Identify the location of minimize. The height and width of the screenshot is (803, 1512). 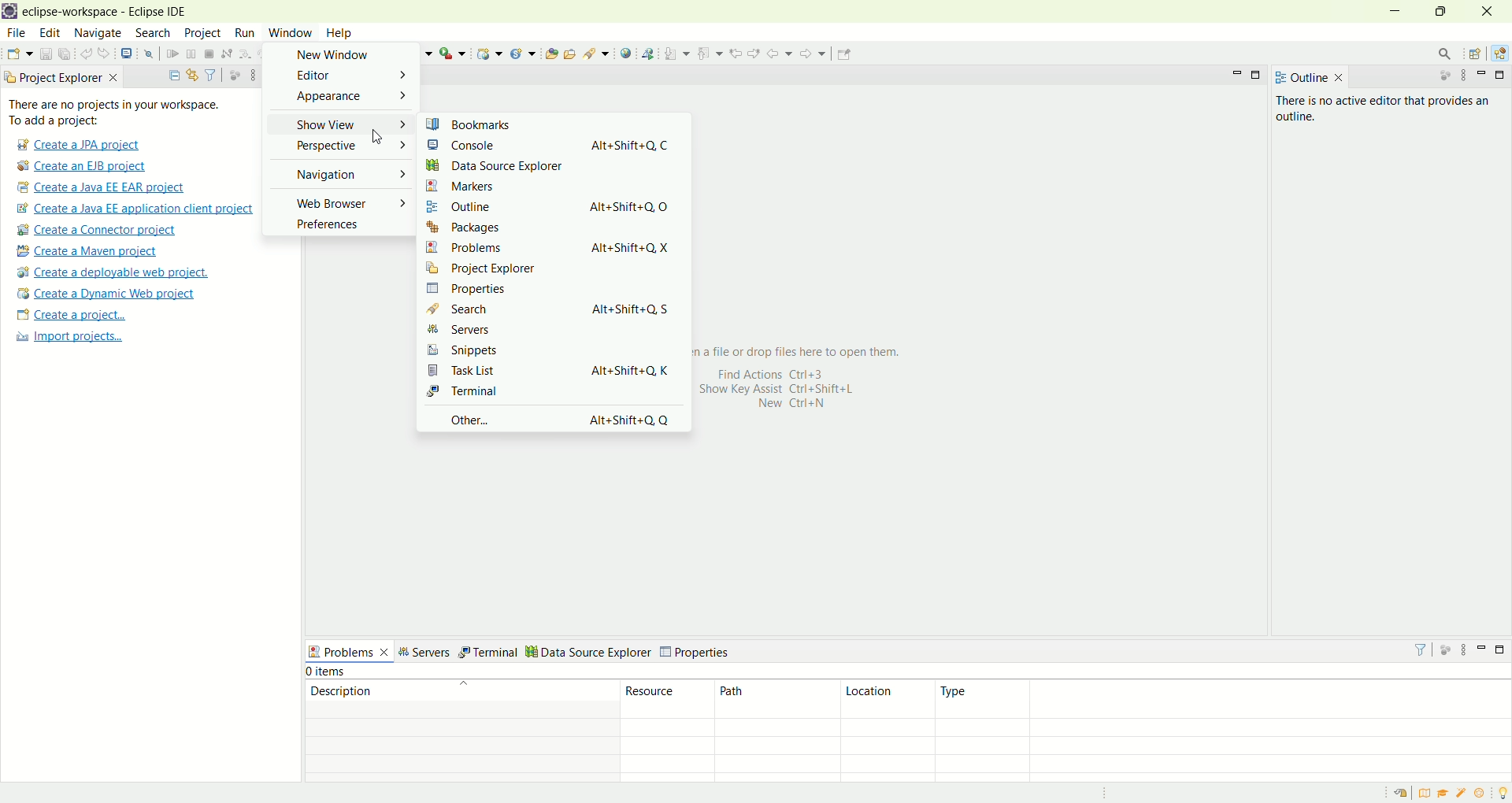
(1393, 12).